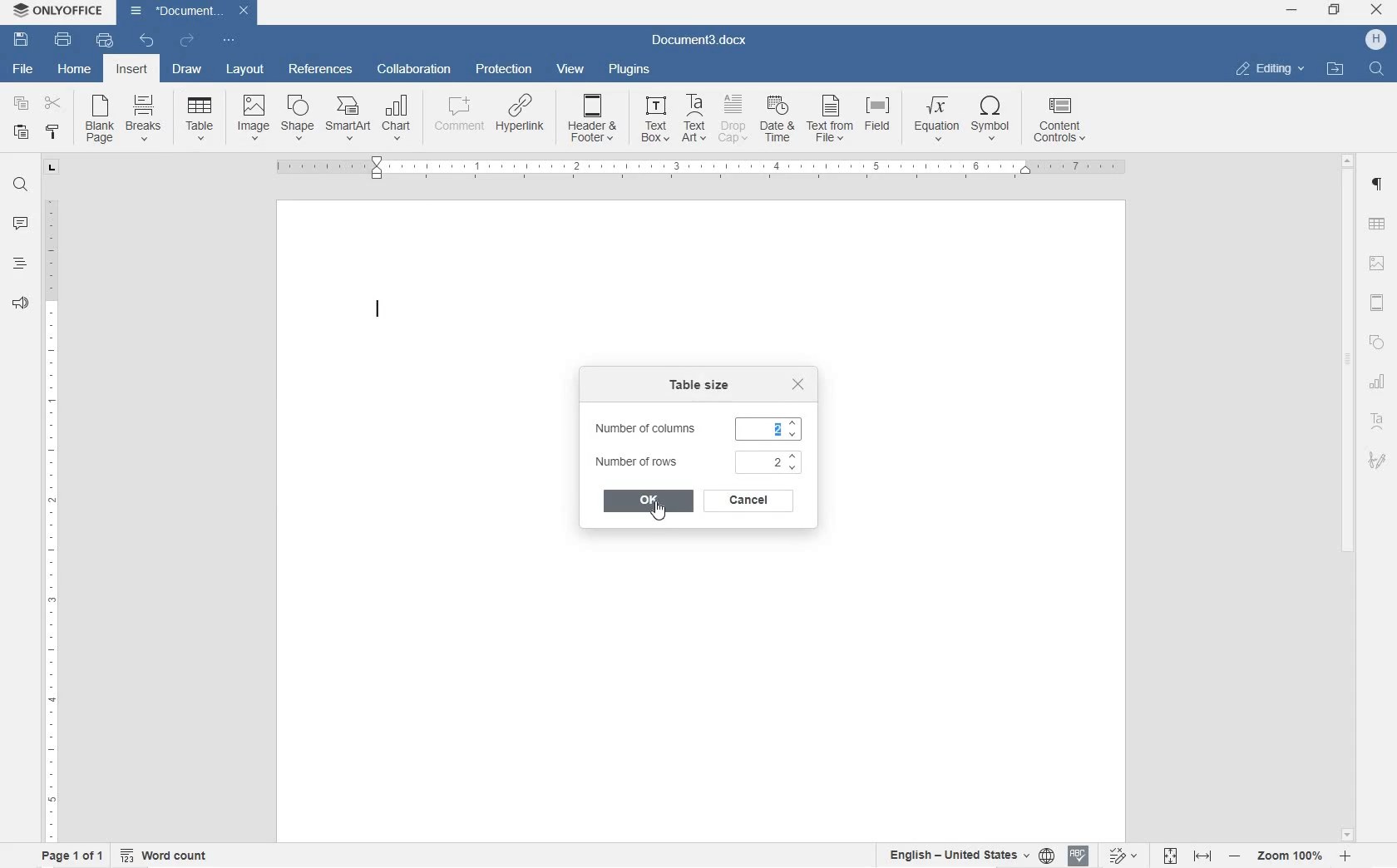 This screenshot has width=1397, height=868. What do you see at coordinates (966, 853) in the screenshot?
I see `SET TEXT OR DOCUMENT LANGUAGE` at bounding box center [966, 853].